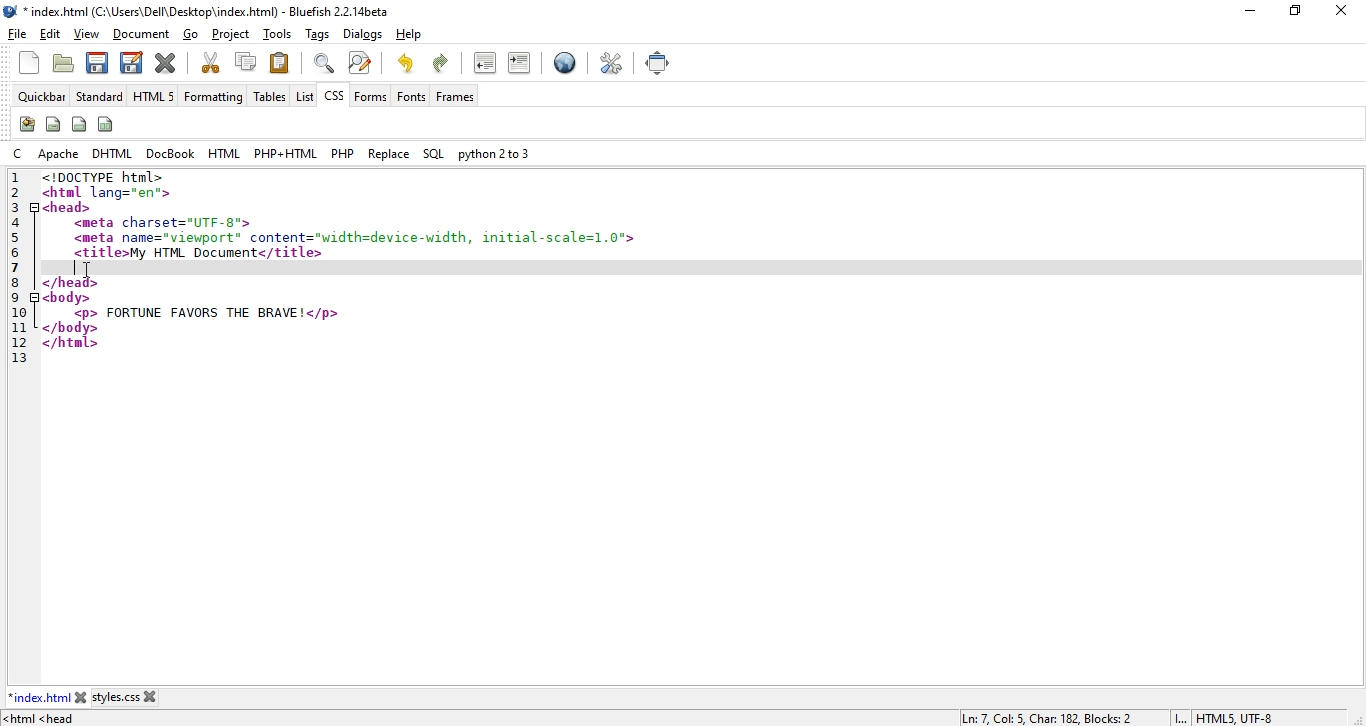 The image size is (1366, 726). Describe the element at coordinates (44, 719) in the screenshot. I see `<html <head` at that location.